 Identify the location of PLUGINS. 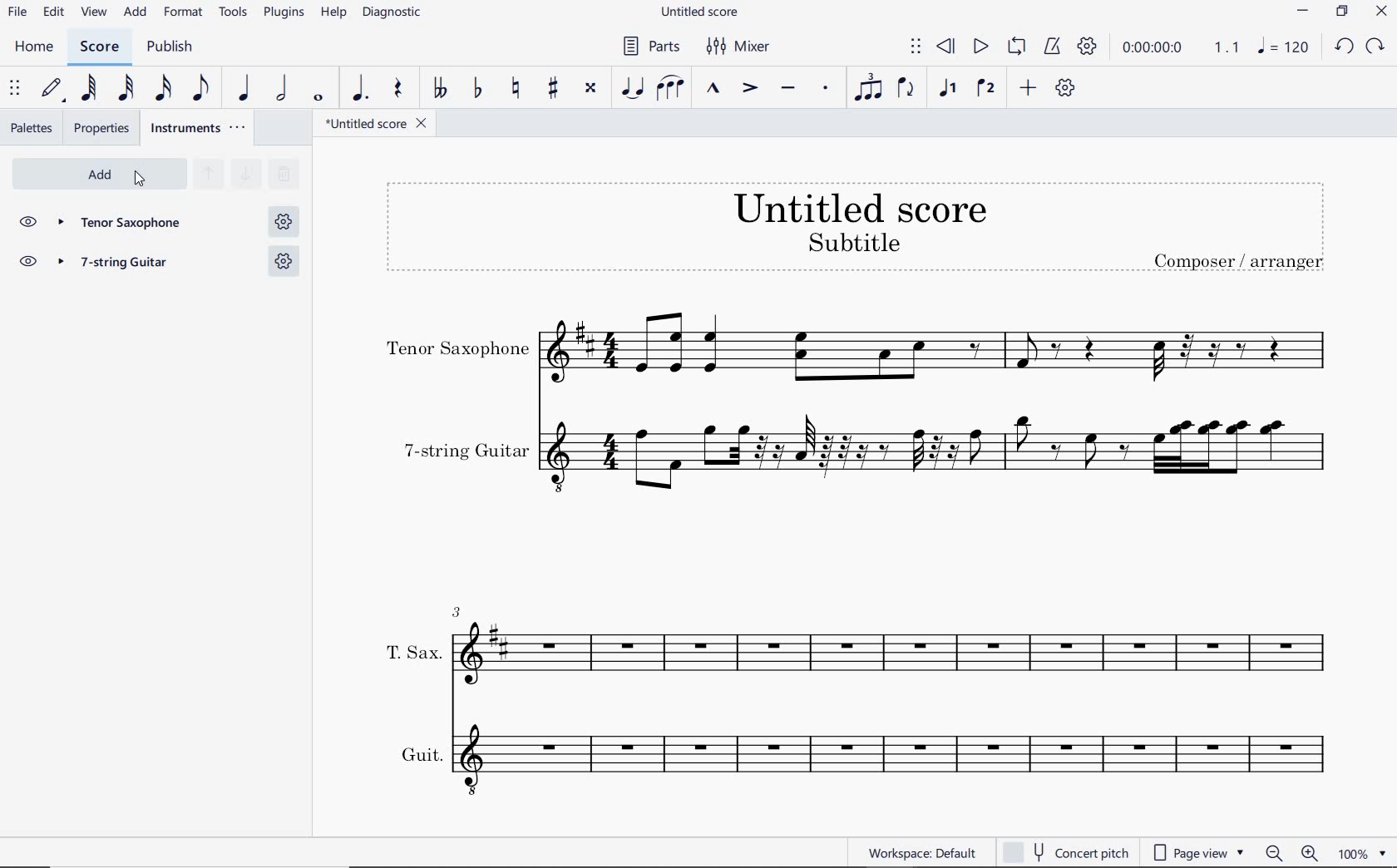
(284, 13).